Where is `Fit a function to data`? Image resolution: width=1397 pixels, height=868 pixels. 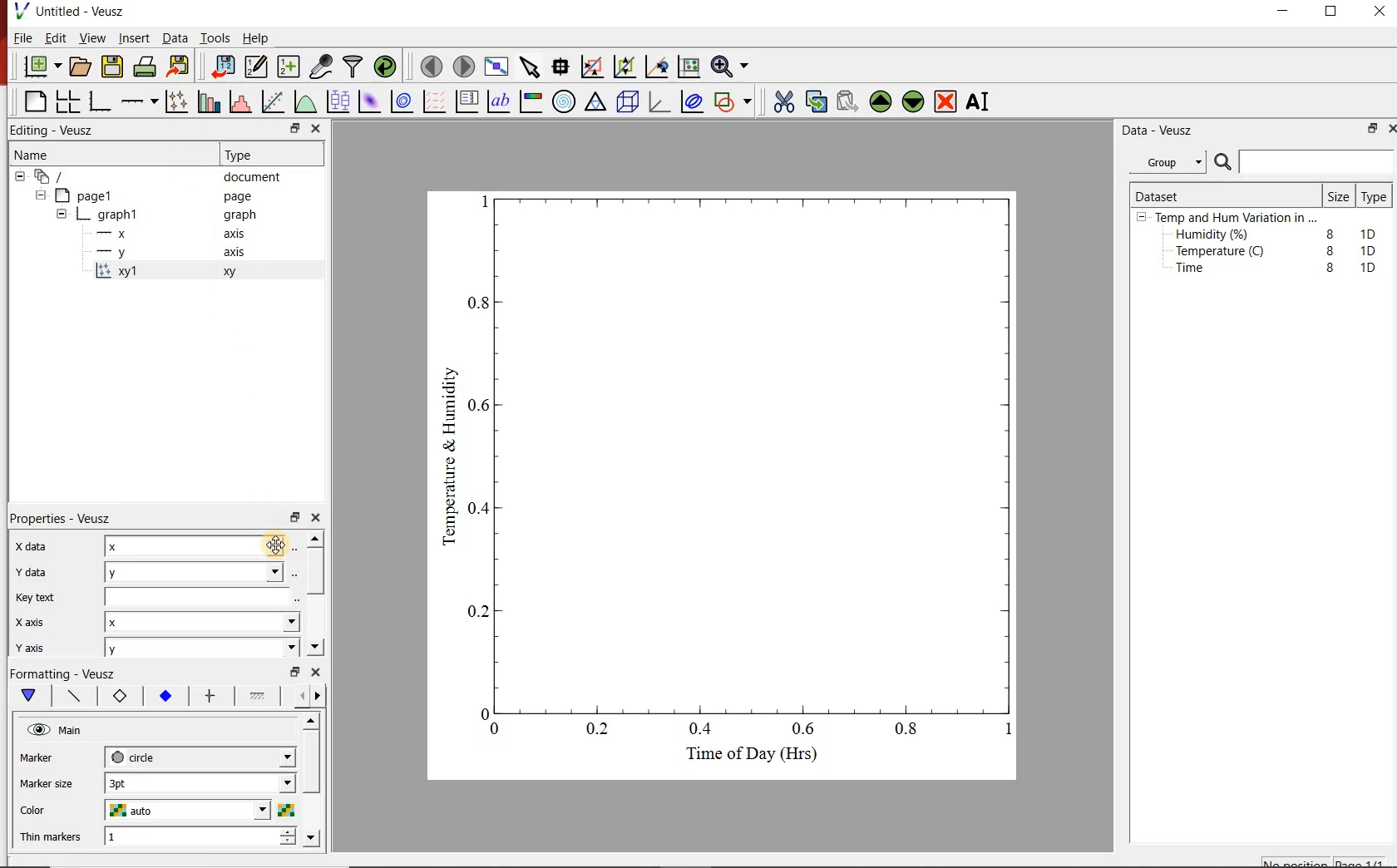
Fit a function to data is located at coordinates (274, 101).